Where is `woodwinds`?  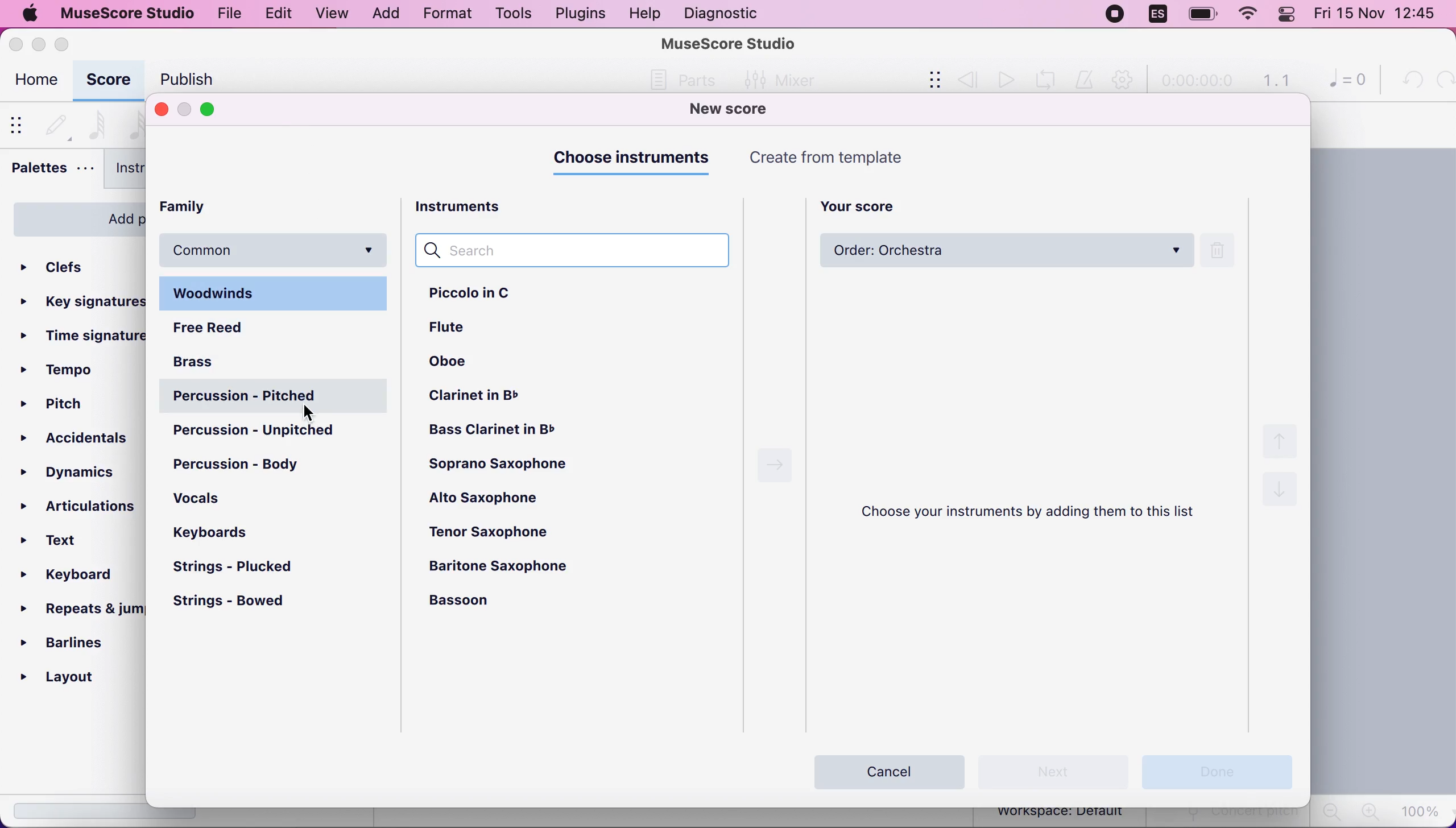 woodwinds is located at coordinates (276, 294).